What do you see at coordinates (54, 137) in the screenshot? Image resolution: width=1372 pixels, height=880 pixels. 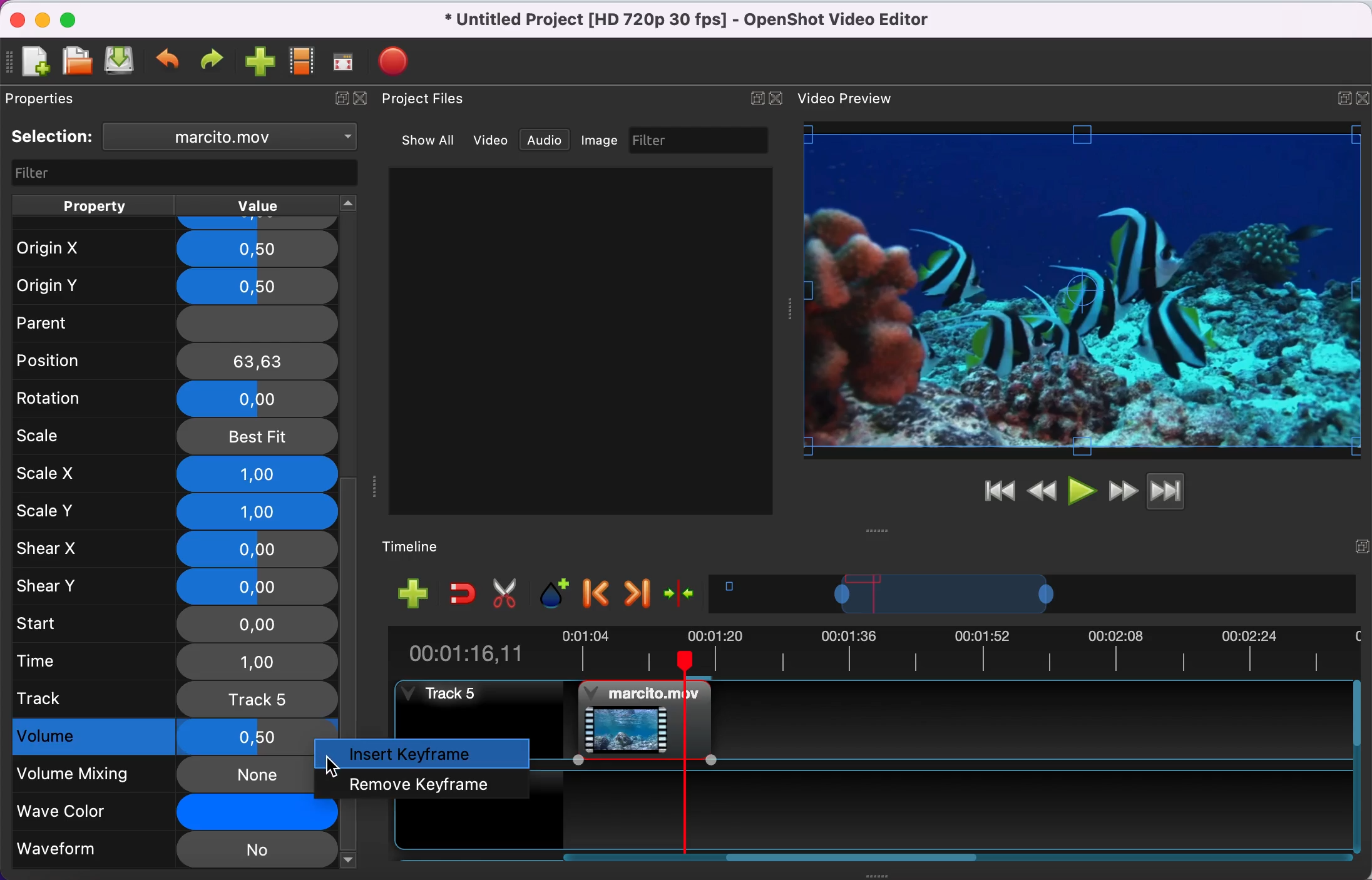 I see `selection` at bounding box center [54, 137].